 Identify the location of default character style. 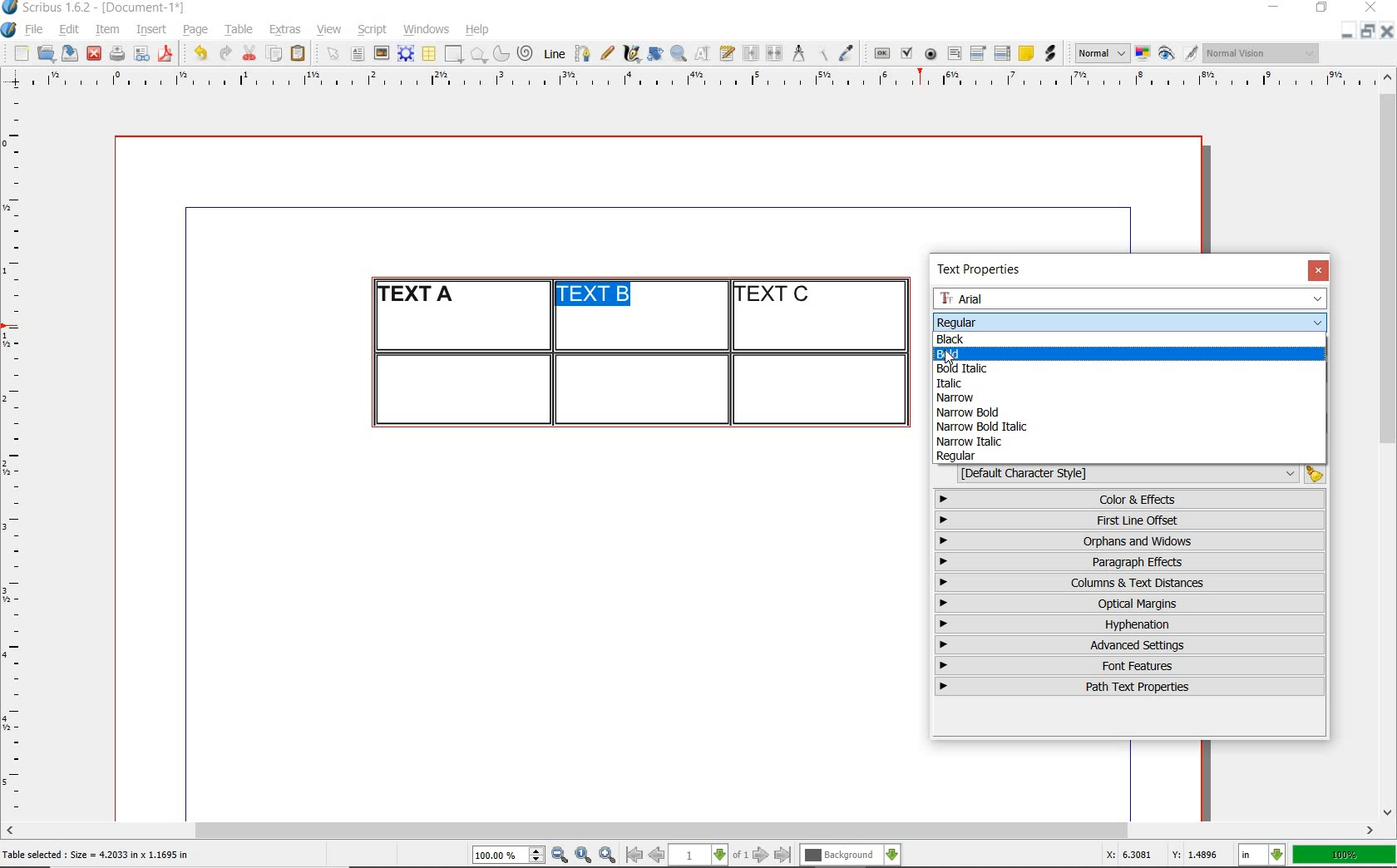
(1136, 474).